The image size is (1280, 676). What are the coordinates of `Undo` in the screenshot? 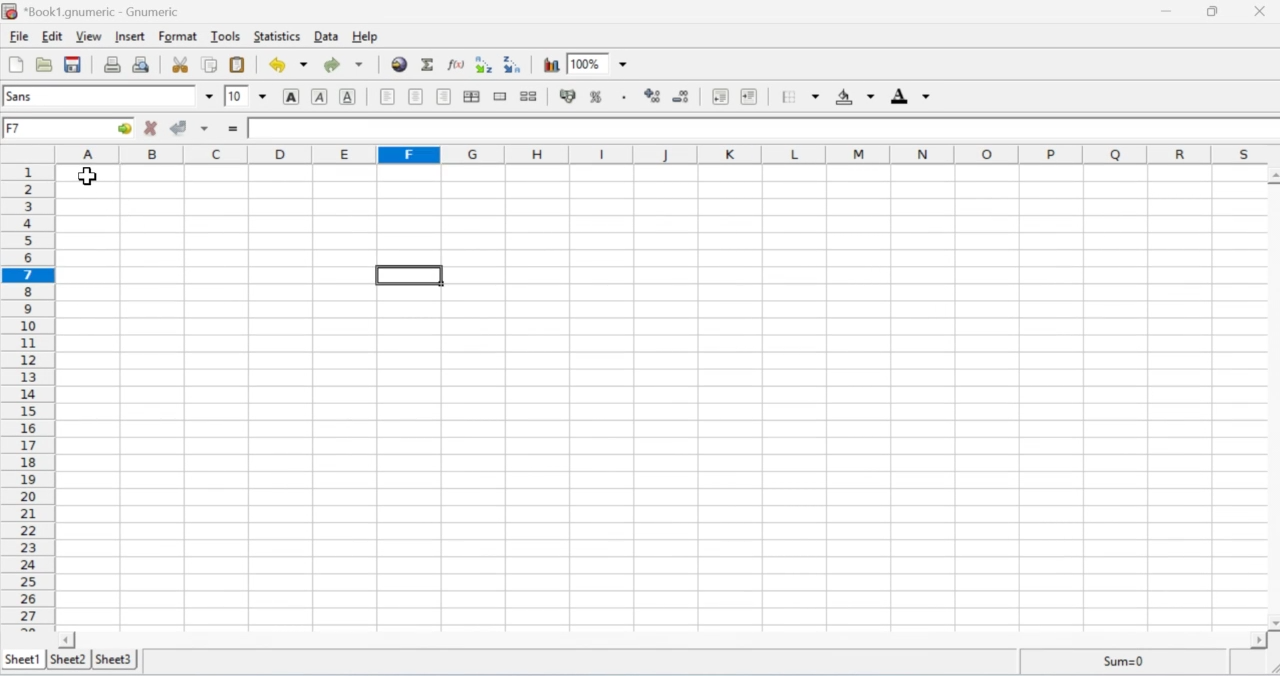 It's located at (286, 64).